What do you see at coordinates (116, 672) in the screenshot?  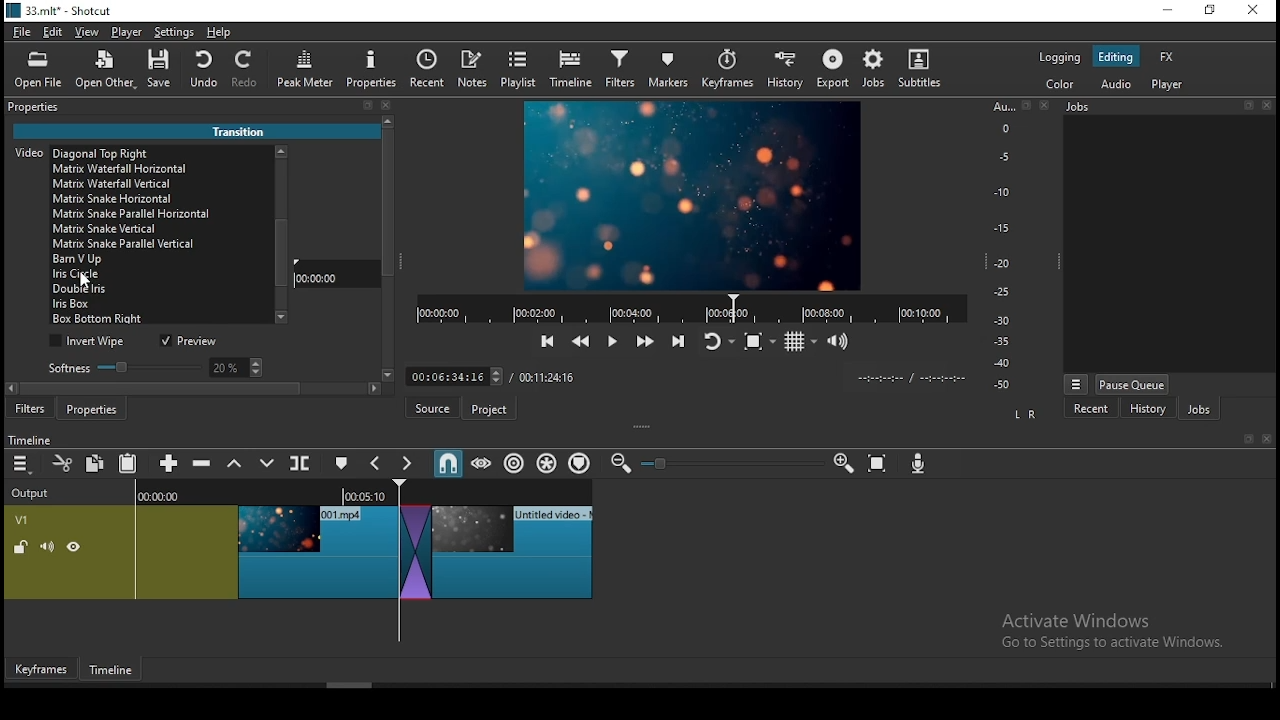 I see `Timeframe` at bounding box center [116, 672].